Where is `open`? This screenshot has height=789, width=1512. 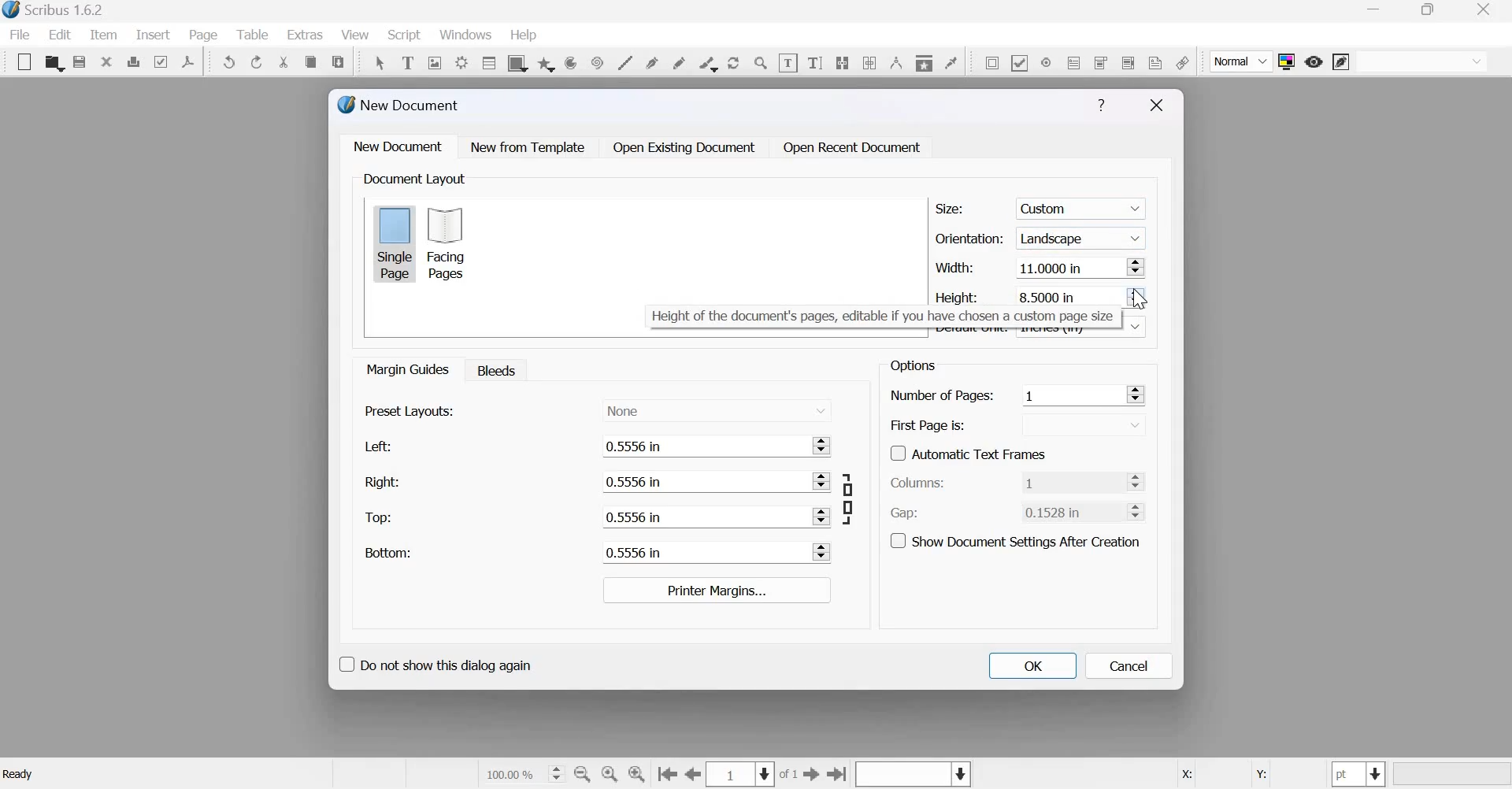
open is located at coordinates (54, 63).